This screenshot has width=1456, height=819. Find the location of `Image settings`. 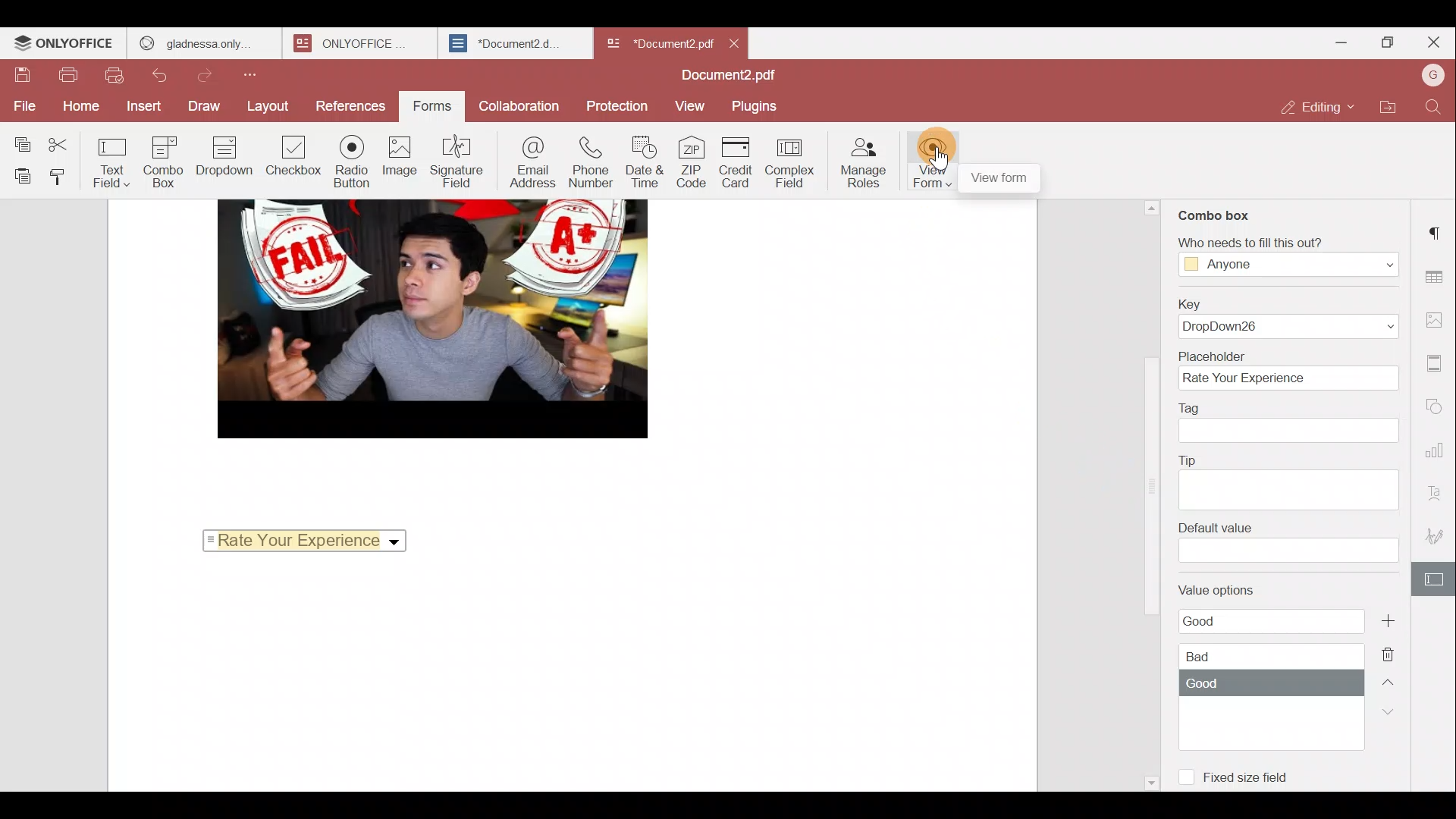

Image settings is located at coordinates (1437, 321).